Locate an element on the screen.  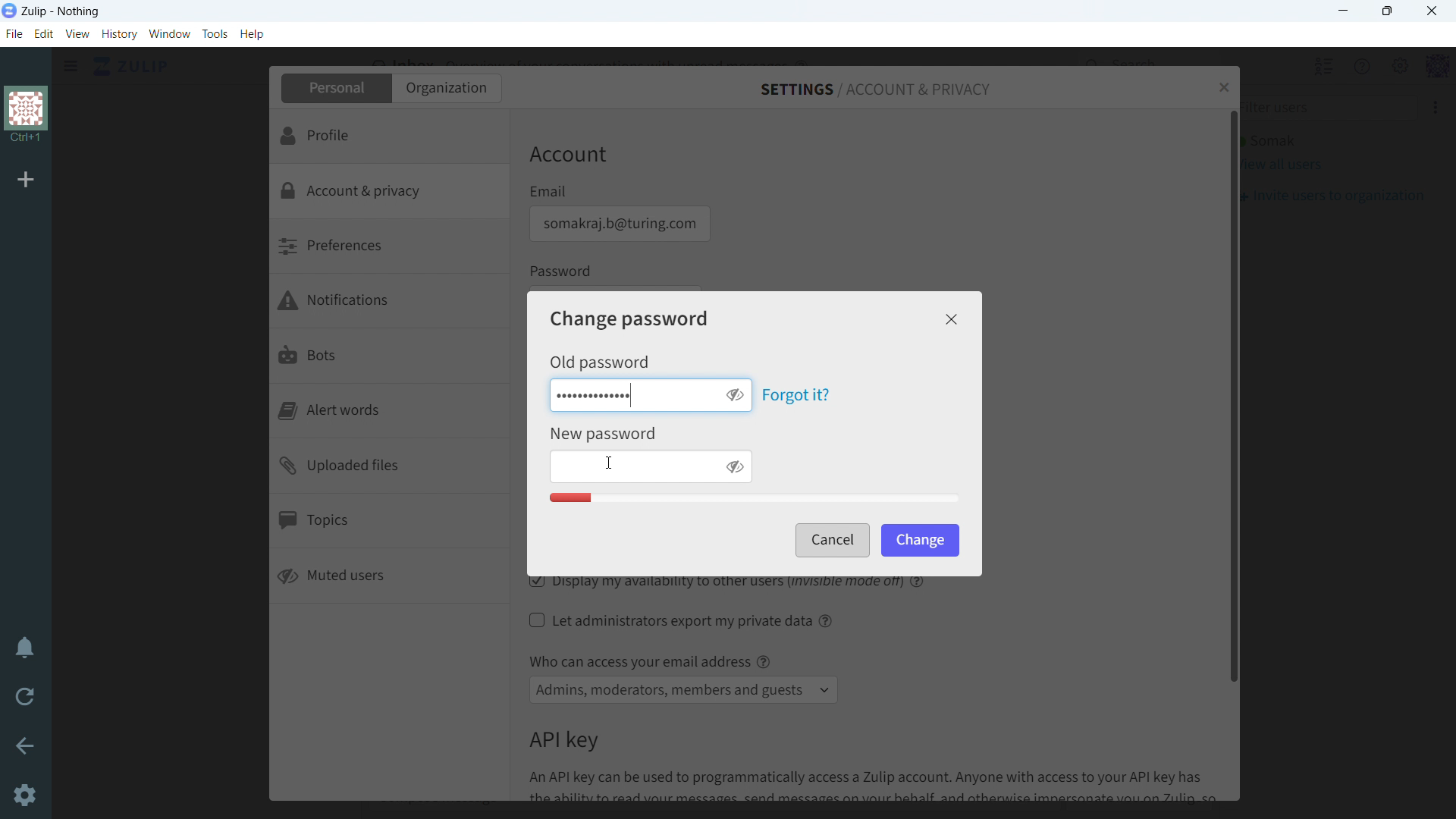
account & privacy selected is located at coordinates (388, 192).